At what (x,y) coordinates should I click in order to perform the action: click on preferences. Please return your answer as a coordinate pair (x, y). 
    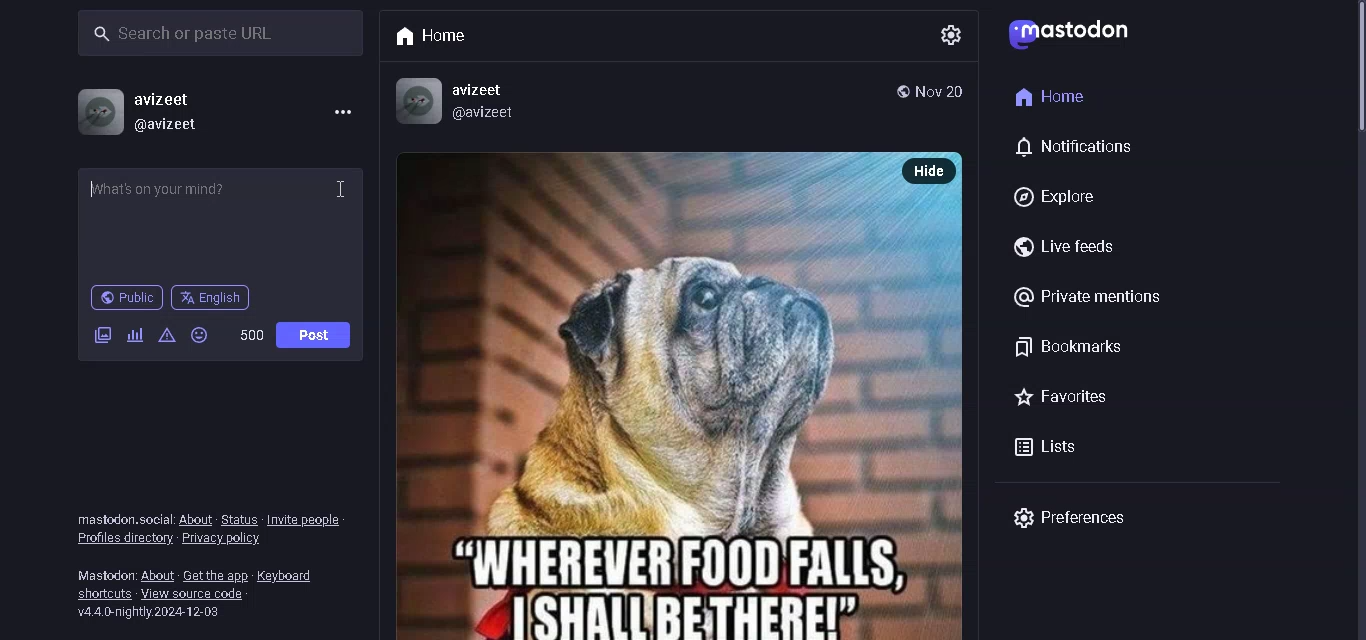
    Looking at the image, I should click on (1078, 515).